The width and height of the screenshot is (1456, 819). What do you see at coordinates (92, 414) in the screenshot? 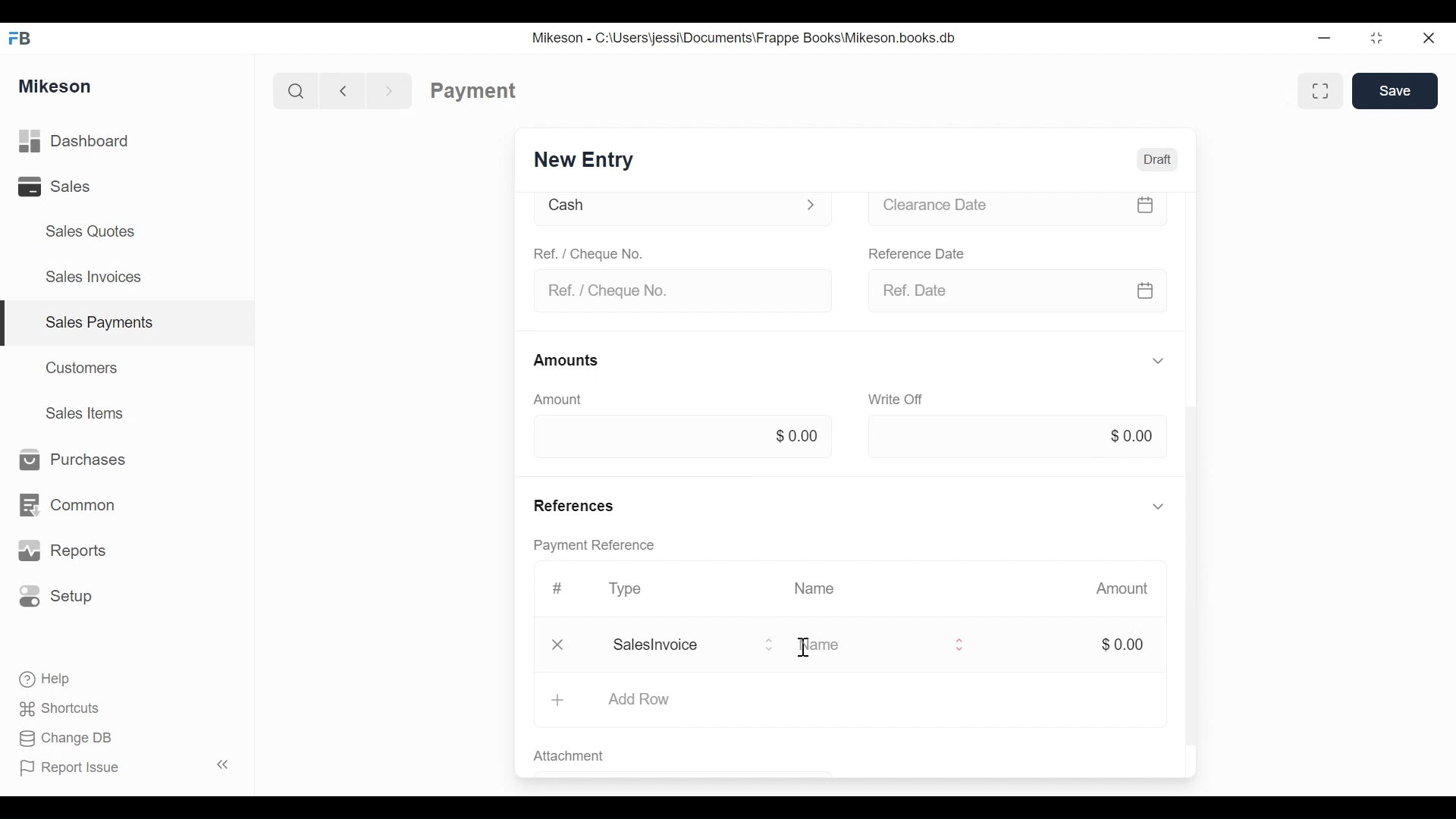
I see `Sales Items` at bounding box center [92, 414].